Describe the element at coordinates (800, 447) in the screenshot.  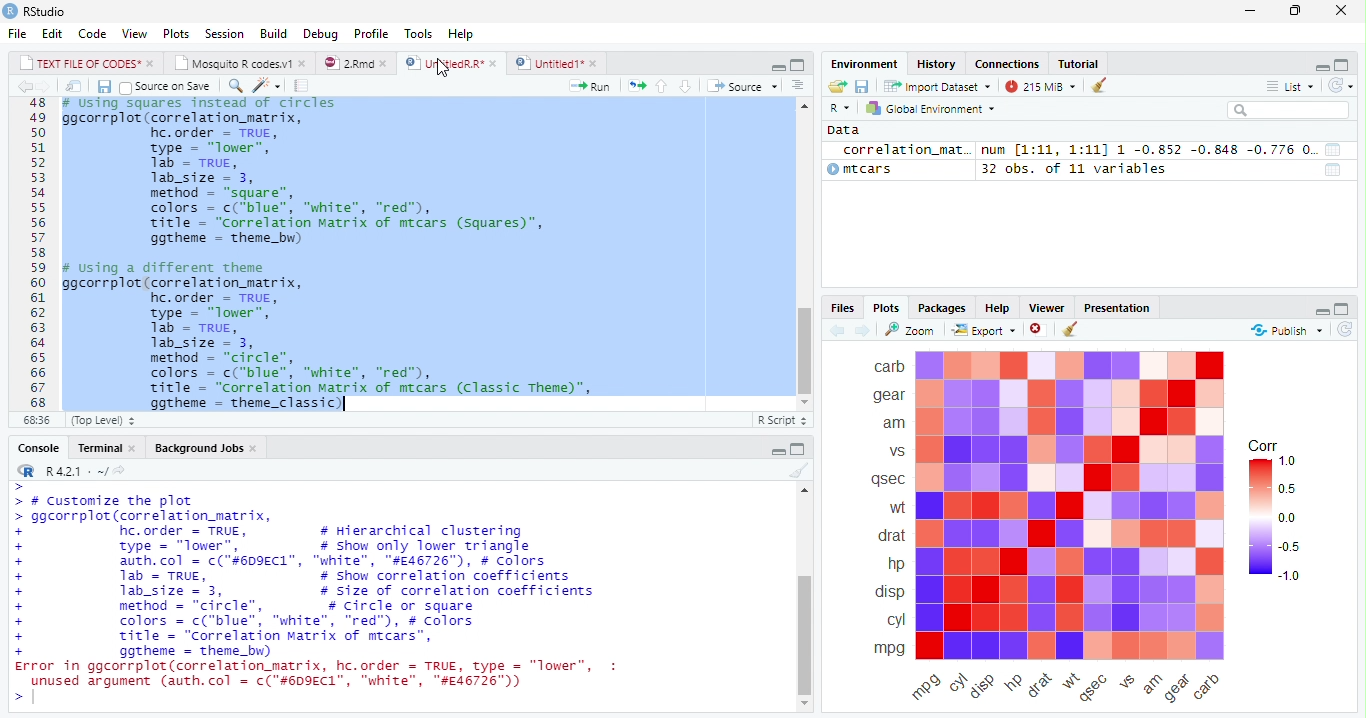
I see `hide console` at that location.